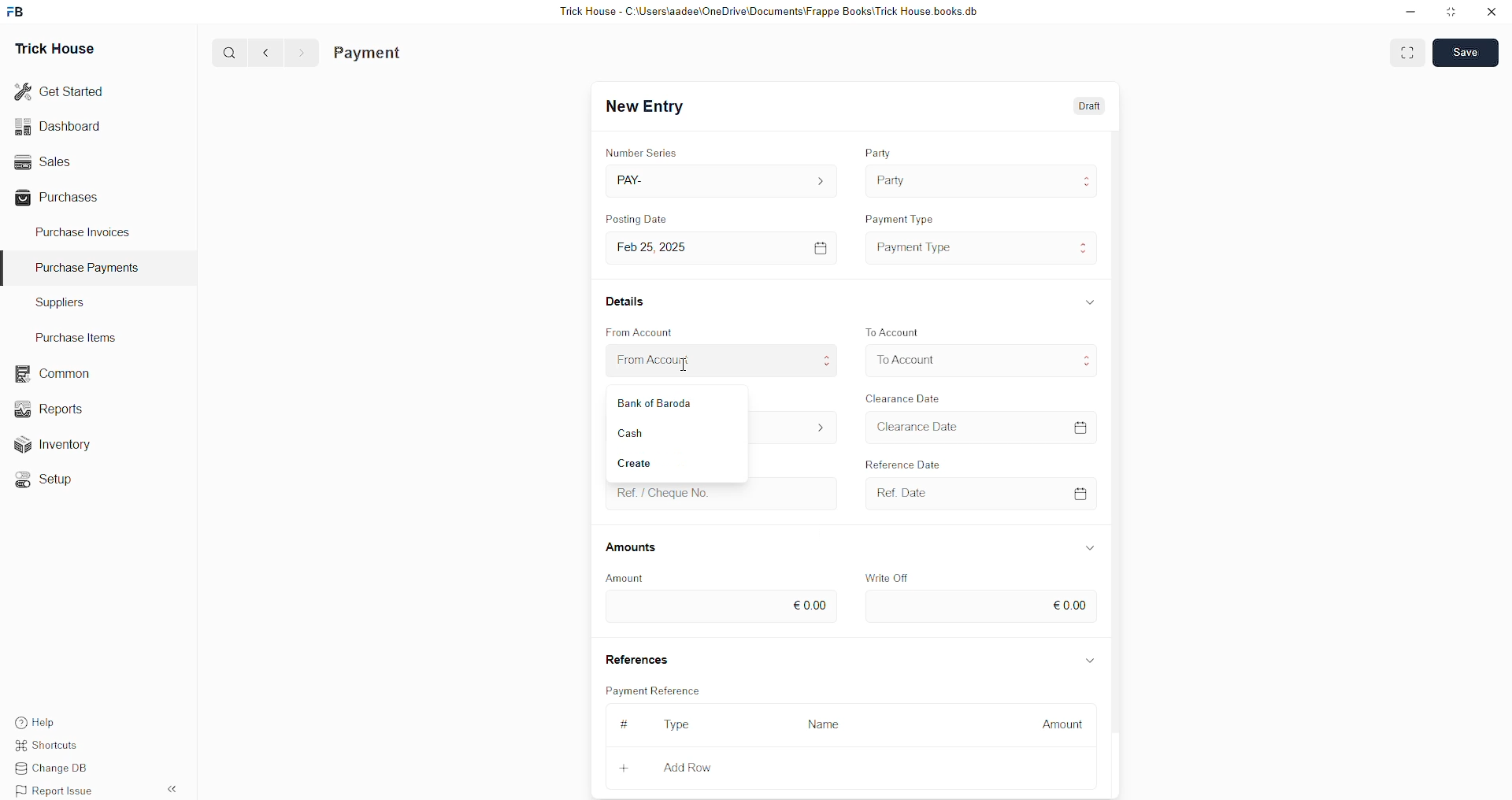  I want to click on common, so click(55, 374).